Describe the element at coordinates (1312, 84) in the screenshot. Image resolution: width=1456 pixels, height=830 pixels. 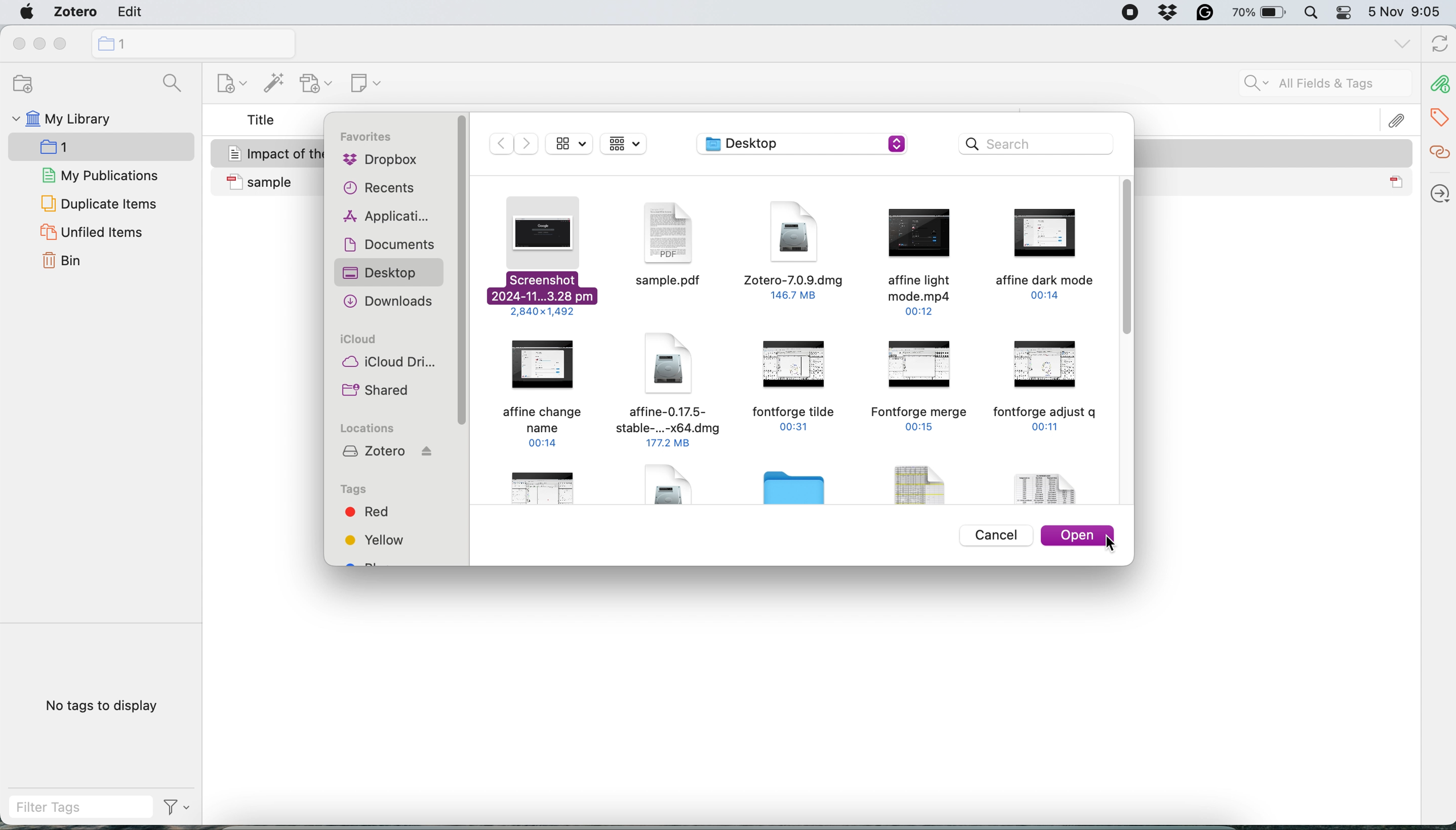
I see `all fields and tags` at that location.